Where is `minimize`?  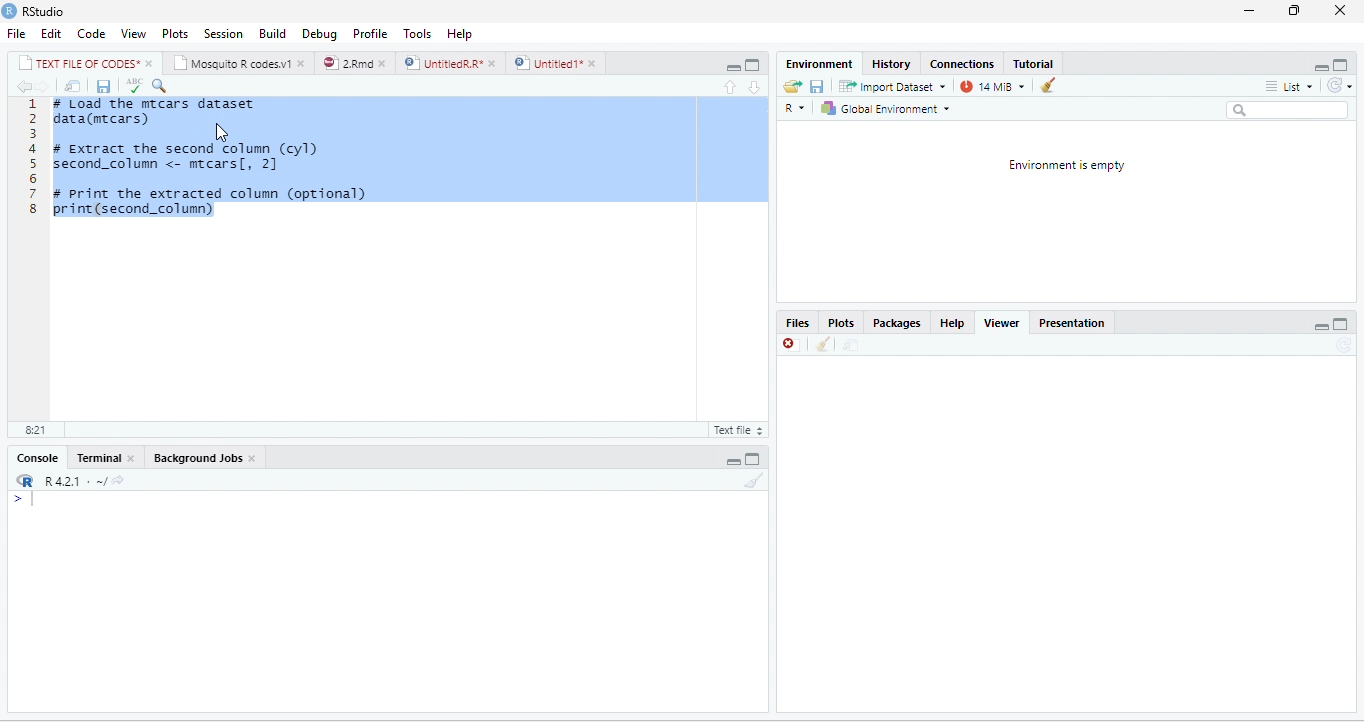
minimize is located at coordinates (1320, 324).